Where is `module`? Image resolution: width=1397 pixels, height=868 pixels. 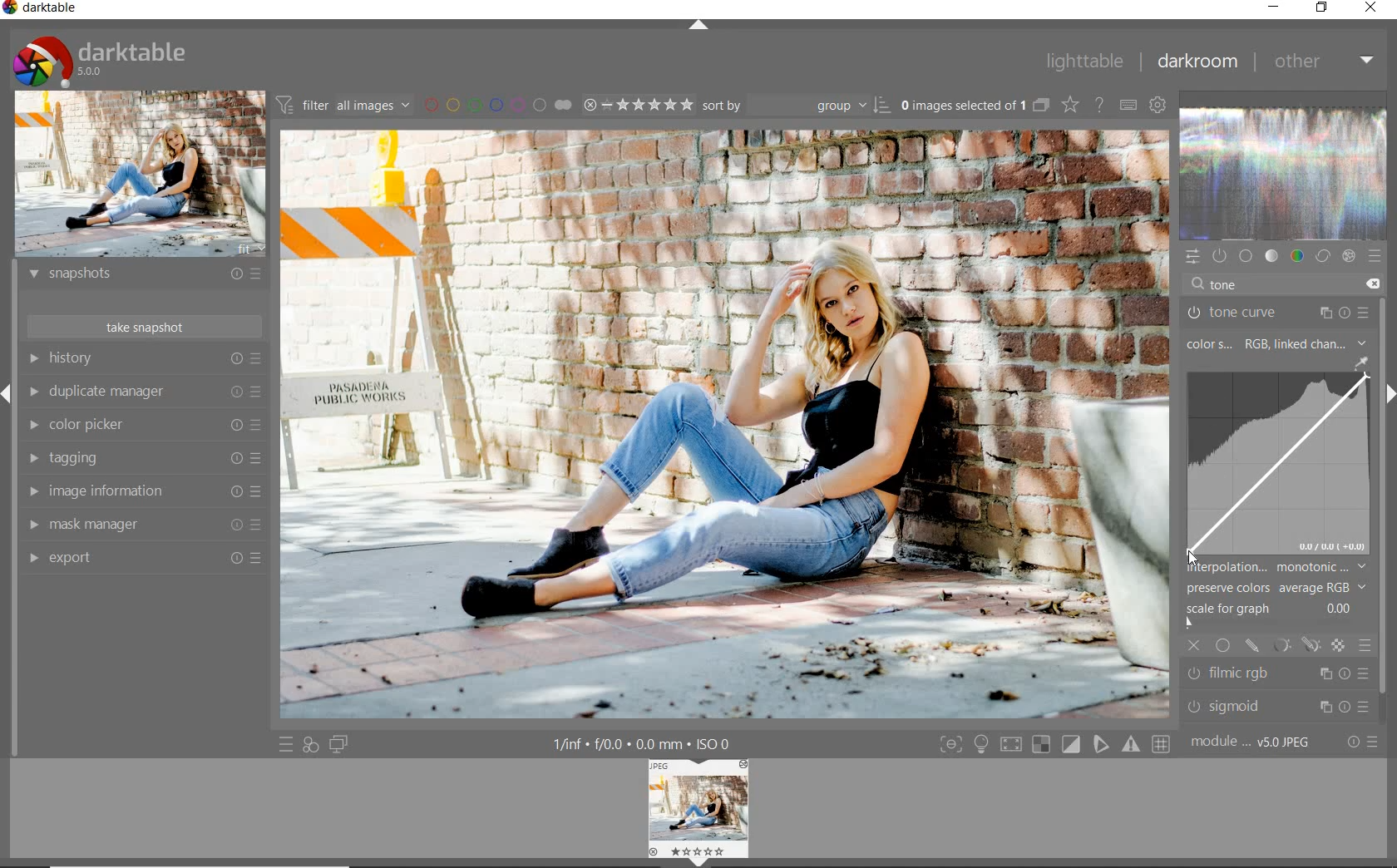 module is located at coordinates (1250, 742).